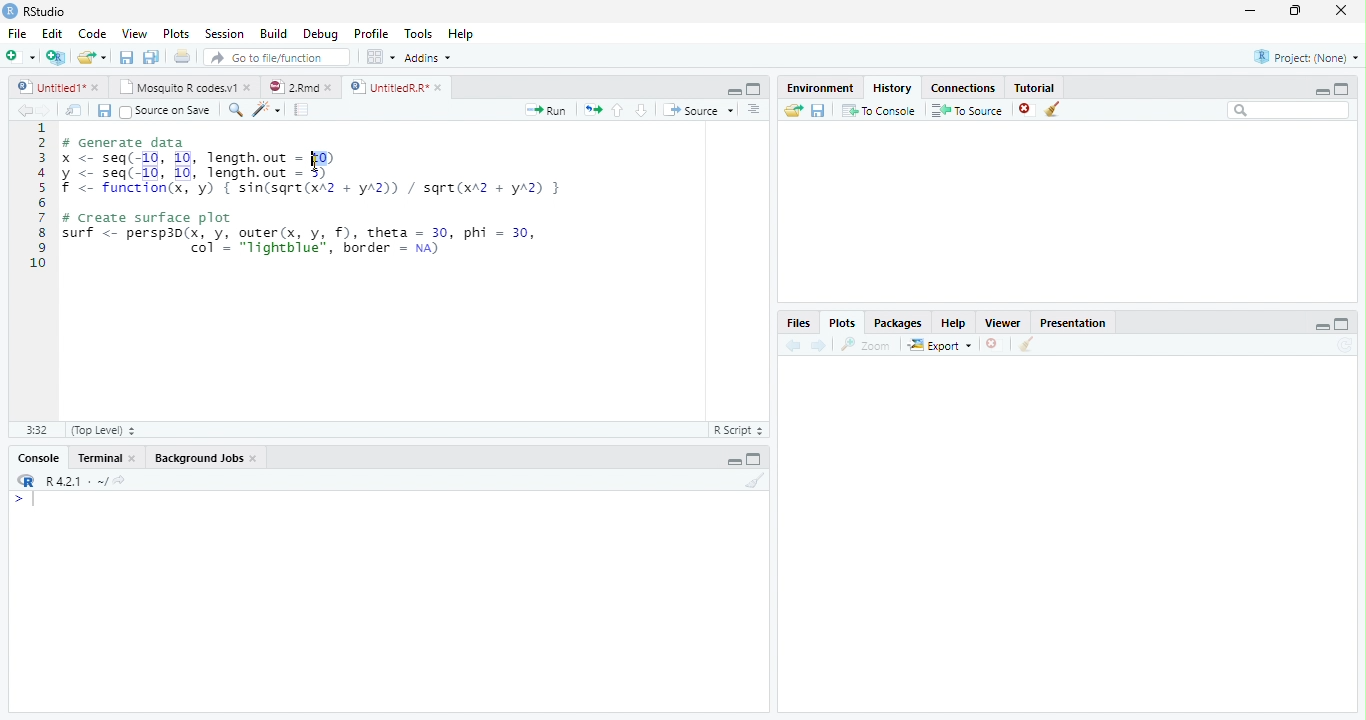  I want to click on Code, so click(91, 33).